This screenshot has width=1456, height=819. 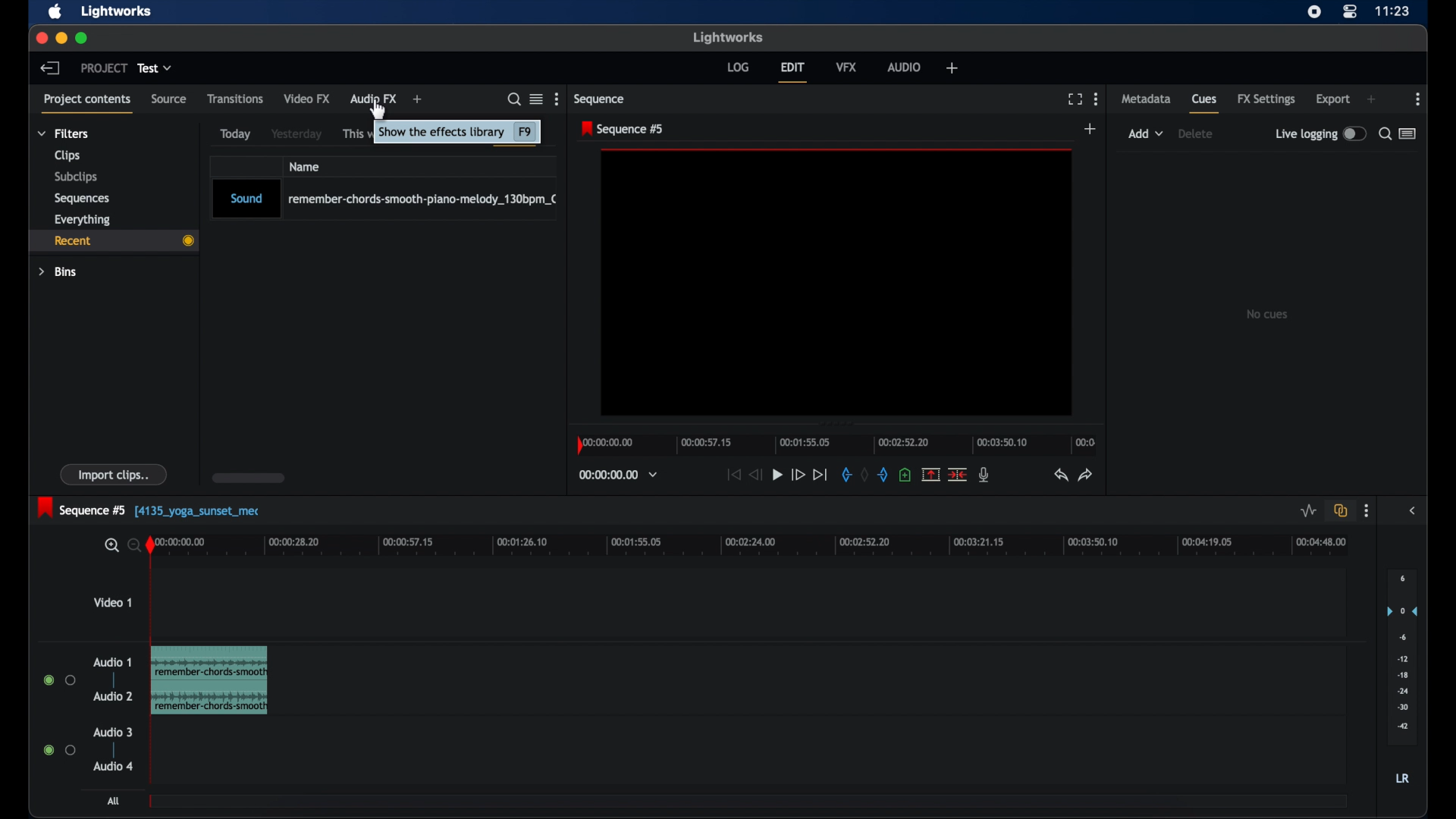 I want to click on radio buttons, so click(x=59, y=679).